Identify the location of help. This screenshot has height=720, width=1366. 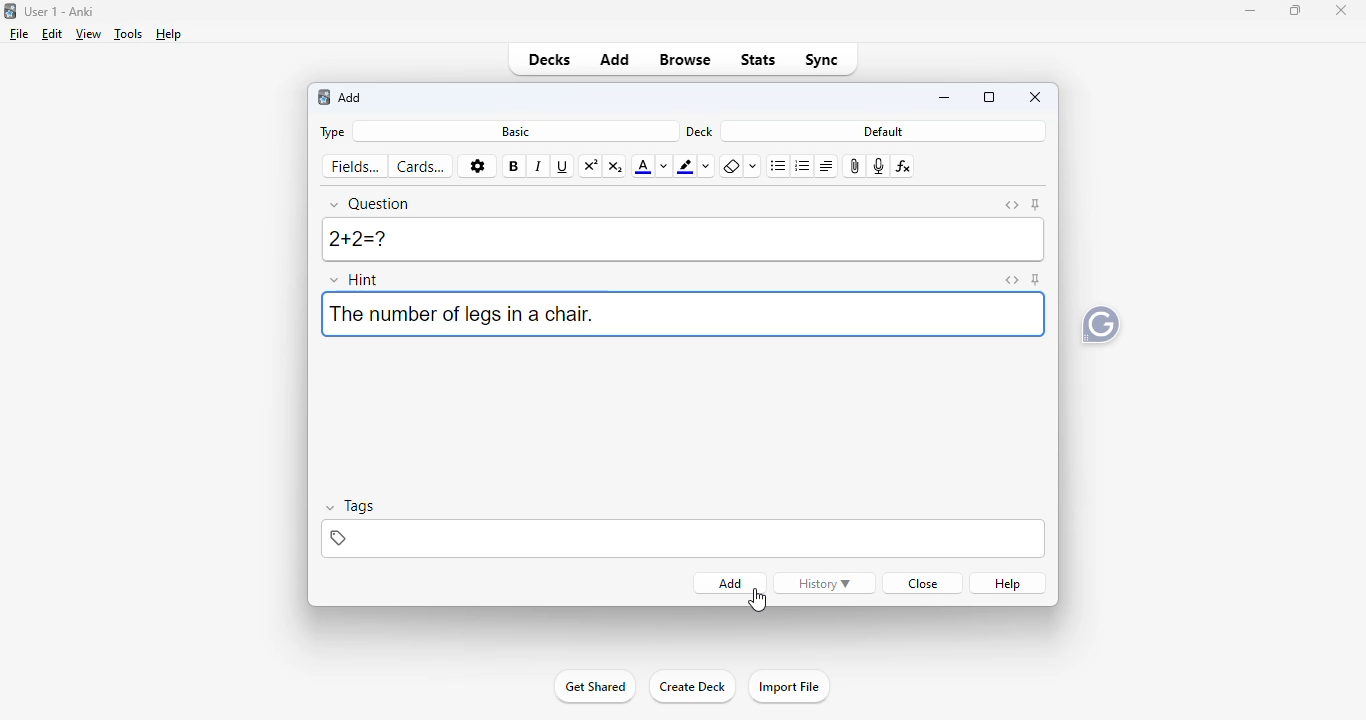
(1009, 584).